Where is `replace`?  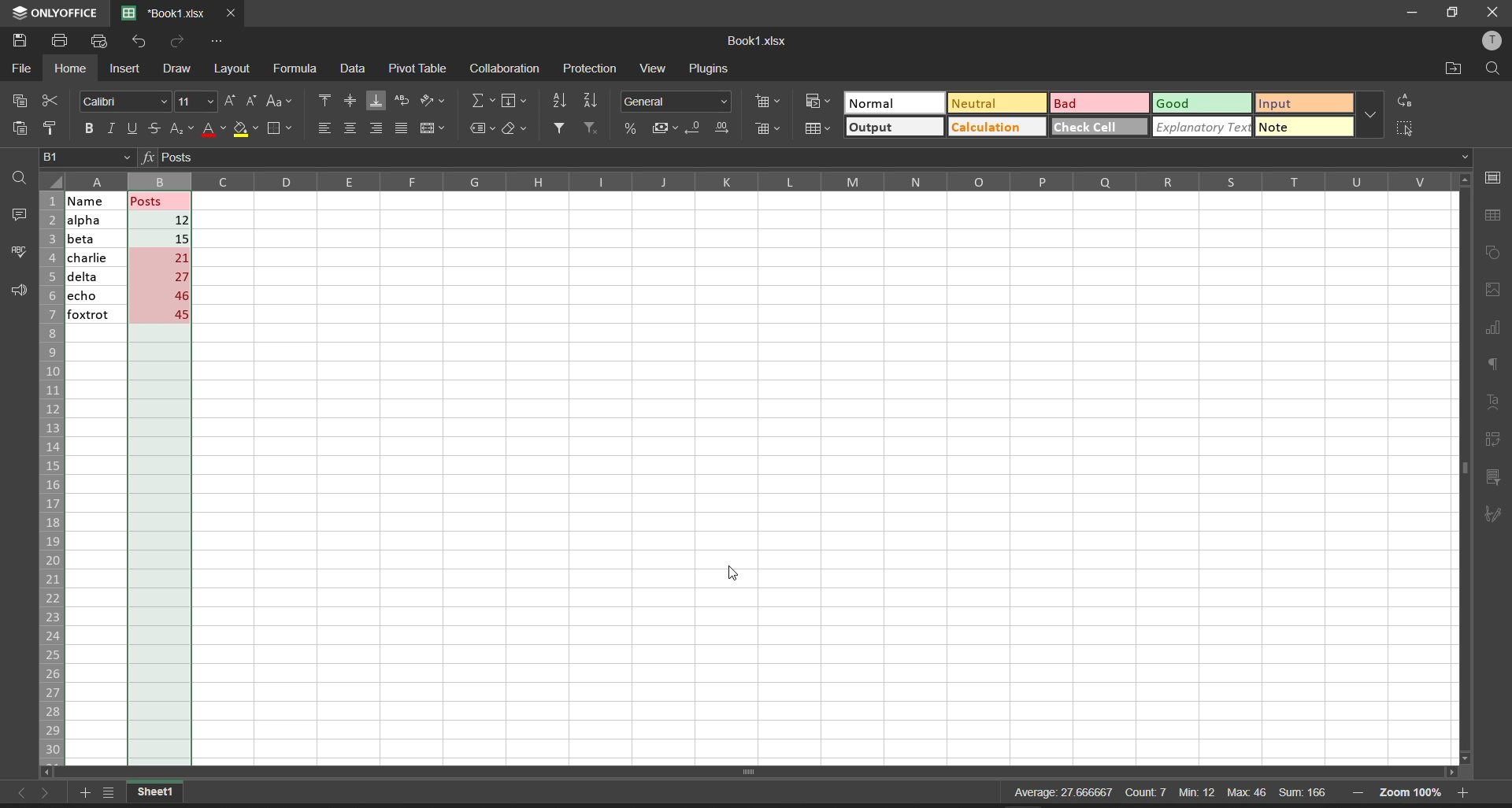
replace is located at coordinates (1408, 98).